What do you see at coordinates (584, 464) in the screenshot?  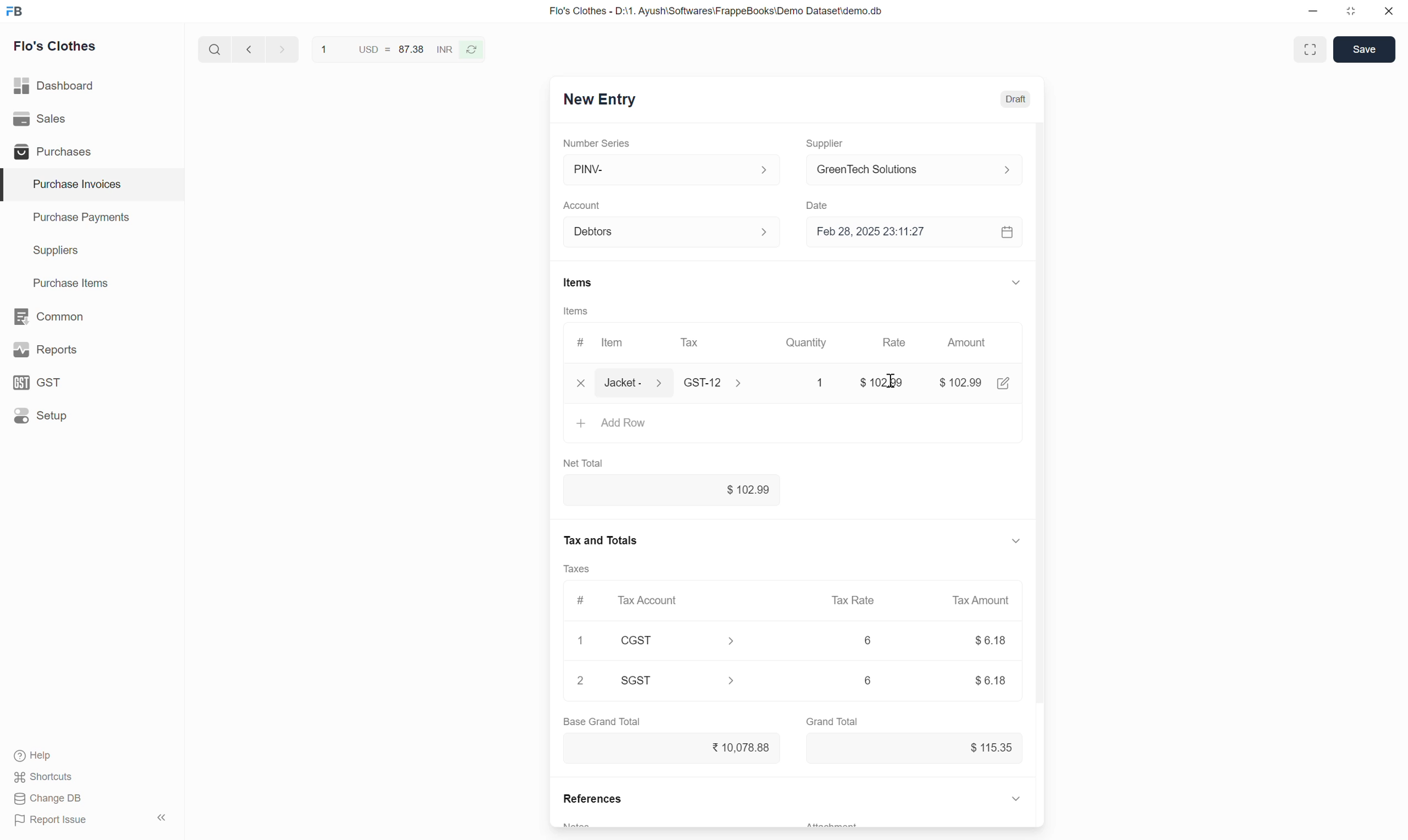 I see `Net Total` at bounding box center [584, 464].